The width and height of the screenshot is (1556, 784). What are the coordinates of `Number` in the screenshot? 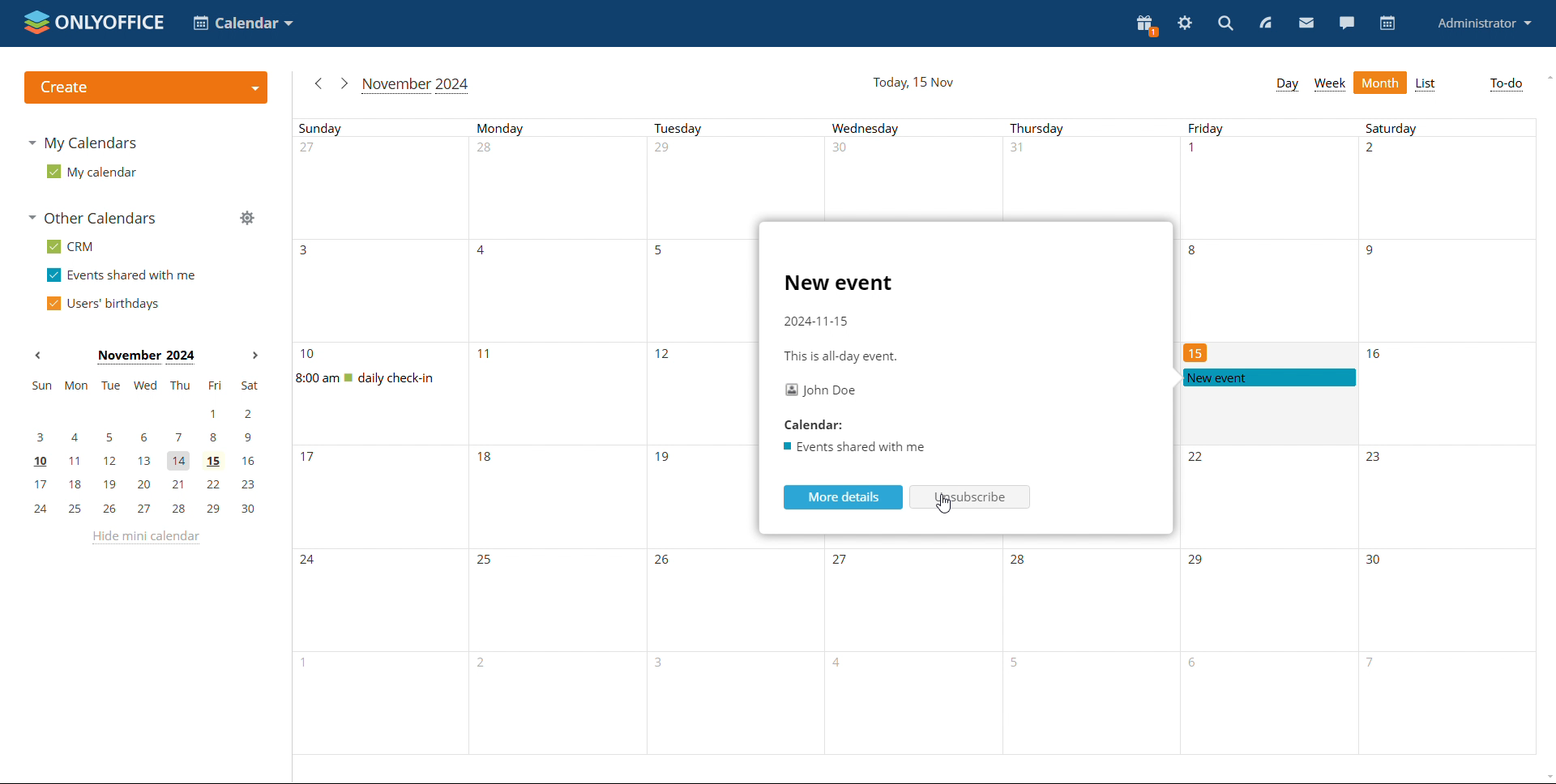 It's located at (663, 458).